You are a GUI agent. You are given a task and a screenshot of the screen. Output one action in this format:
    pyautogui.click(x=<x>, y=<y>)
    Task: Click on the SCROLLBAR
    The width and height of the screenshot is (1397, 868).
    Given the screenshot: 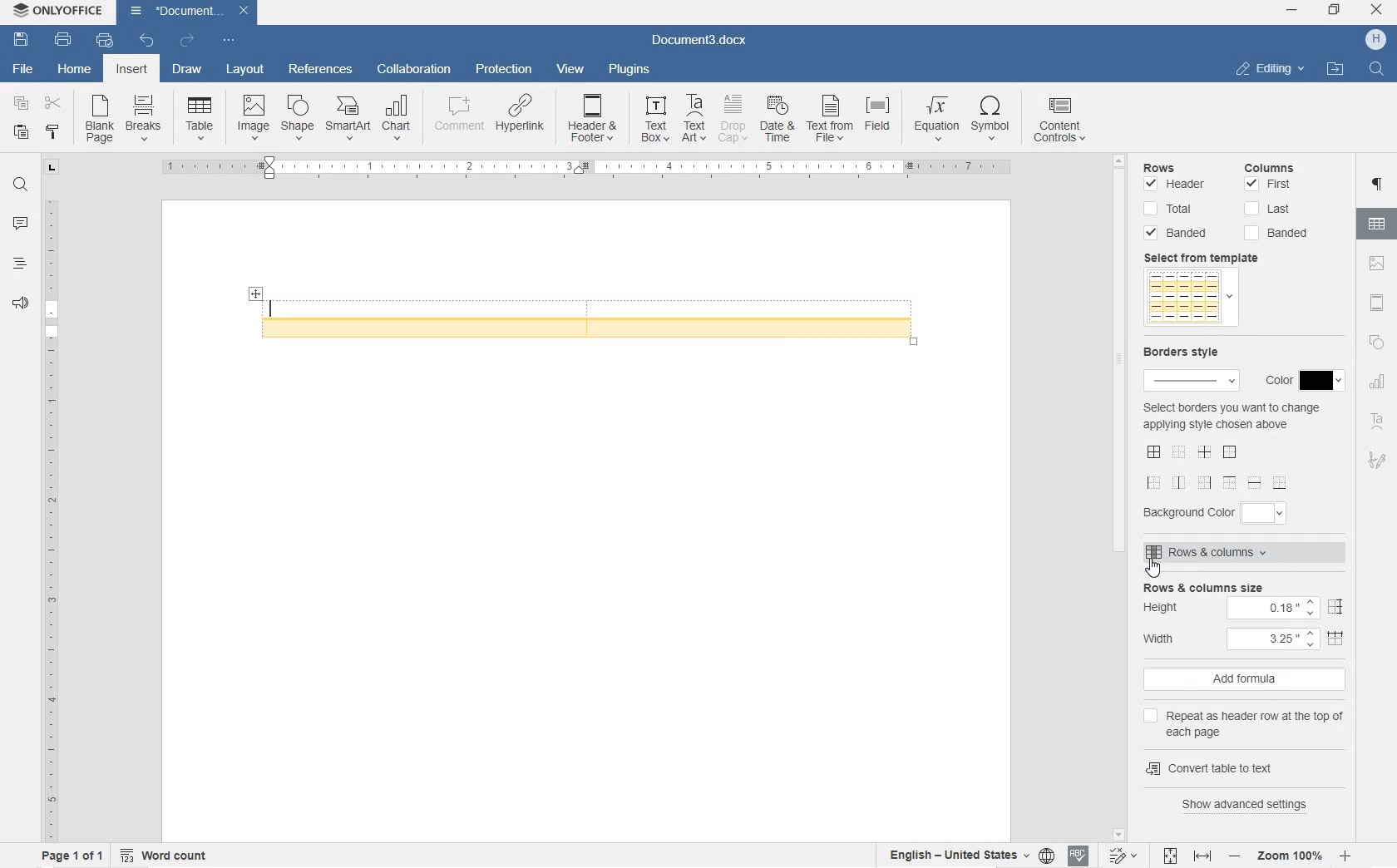 What is the action you would take?
    pyautogui.click(x=1121, y=496)
    